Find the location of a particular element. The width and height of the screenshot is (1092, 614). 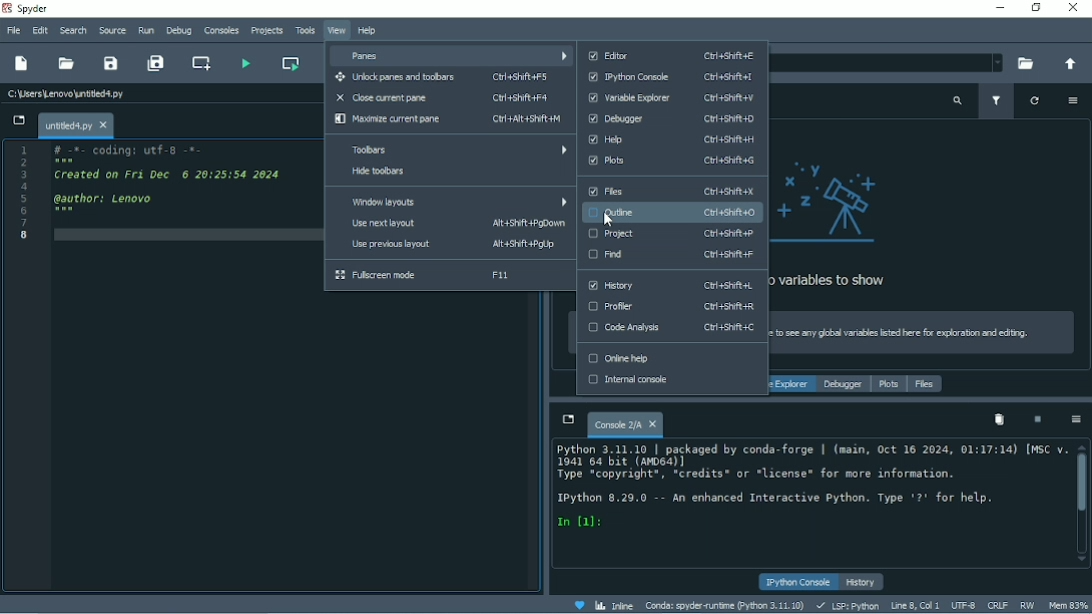

Browse tabs is located at coordinates (16, 122).